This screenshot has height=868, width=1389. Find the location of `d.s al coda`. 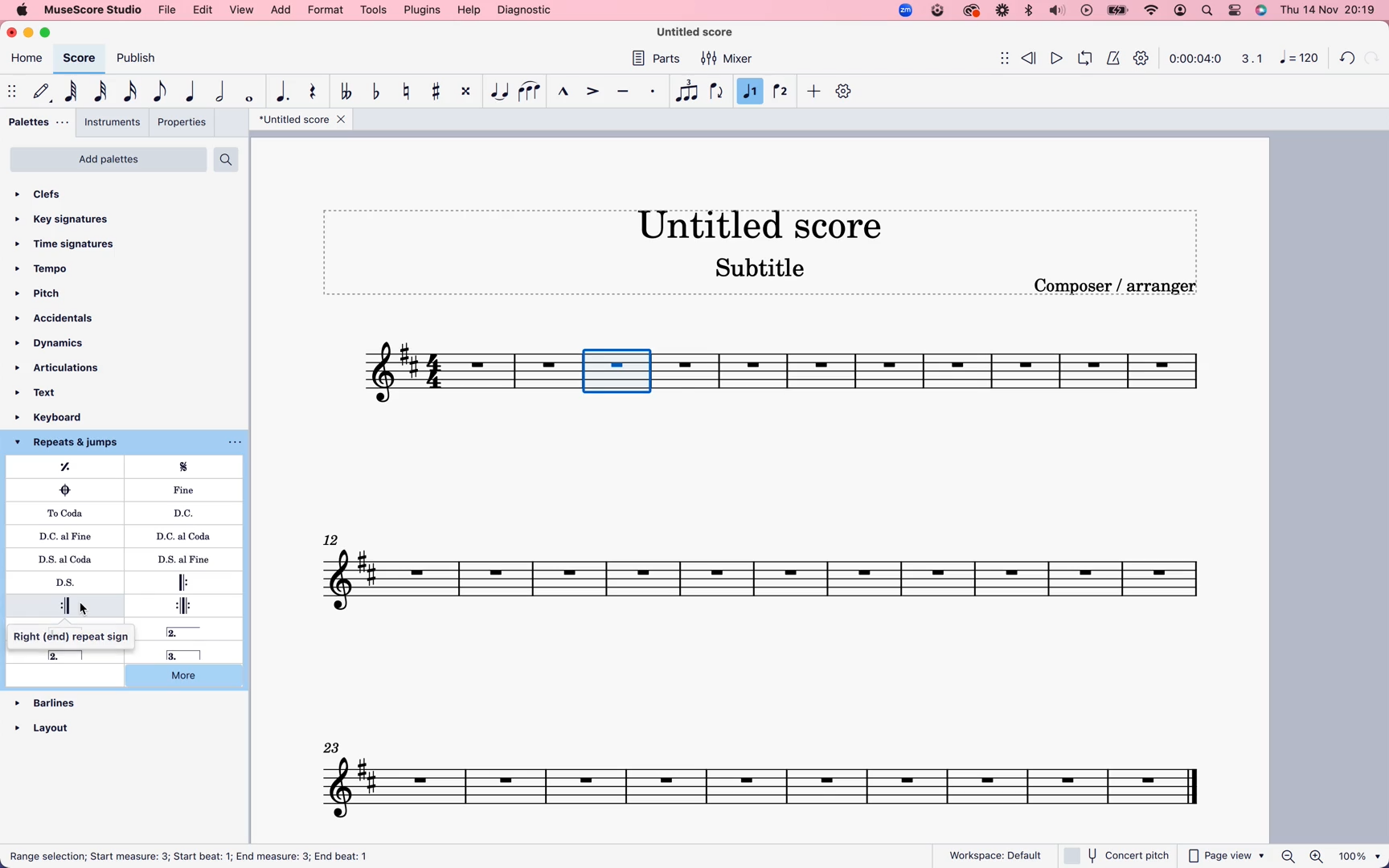

d.s al coda is located at coordinates (71, 558).